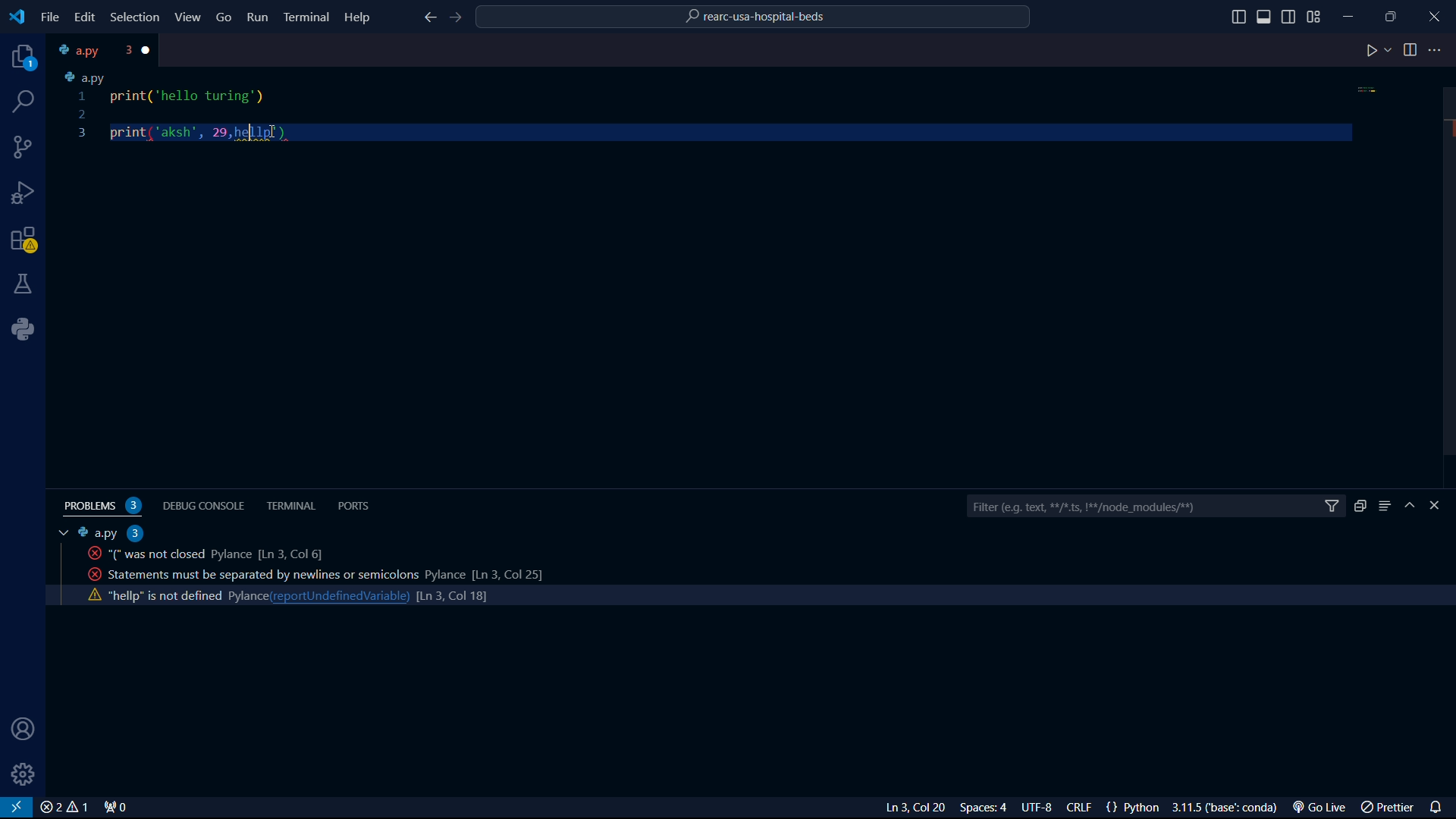 The width and height of the screenshot is (1456, 819). Describe the element at coordinates (17, 808) in the screenshot. I see `VS` at that location.